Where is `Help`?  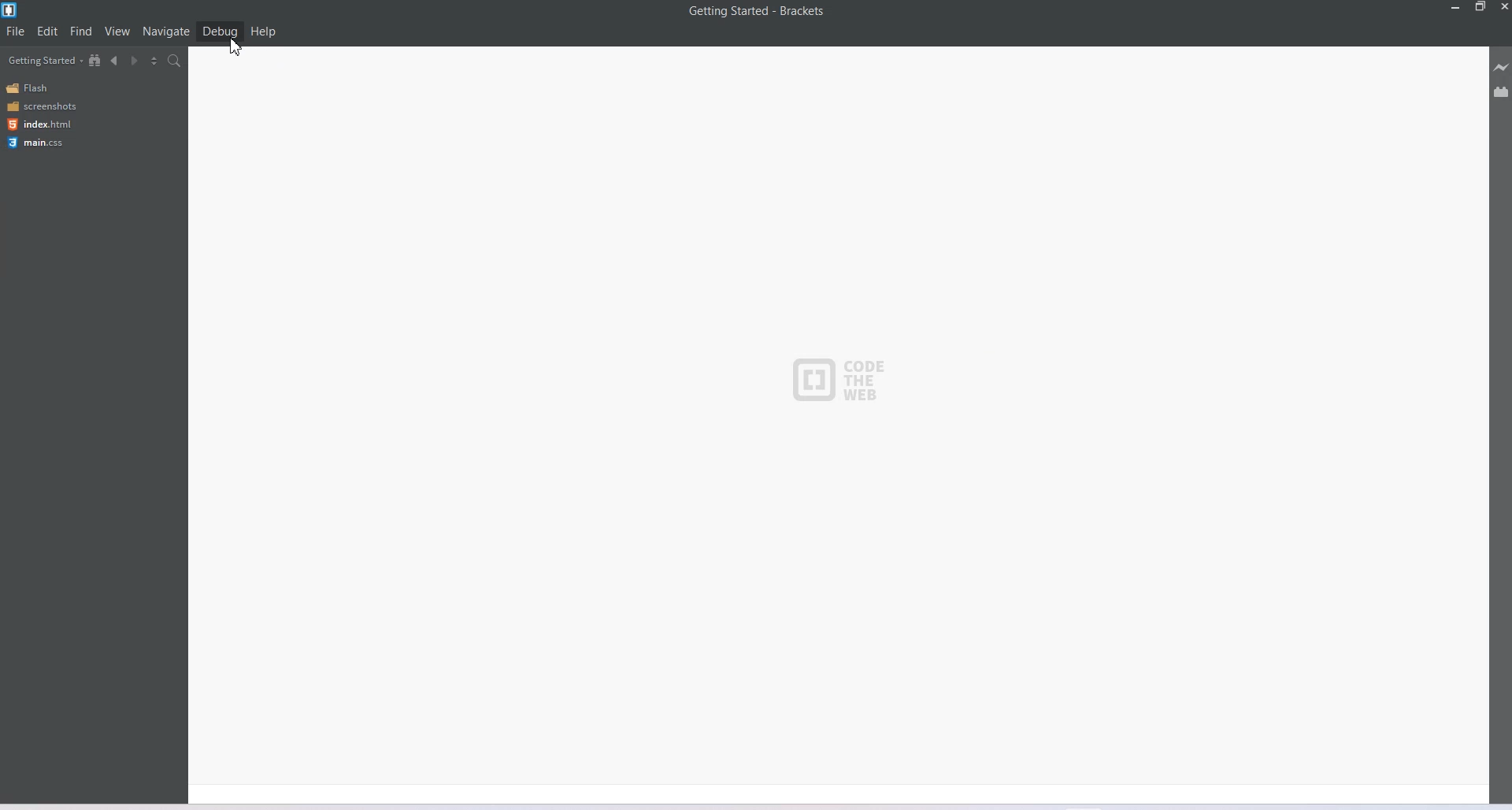
Help is located at coordinates (263, 32).